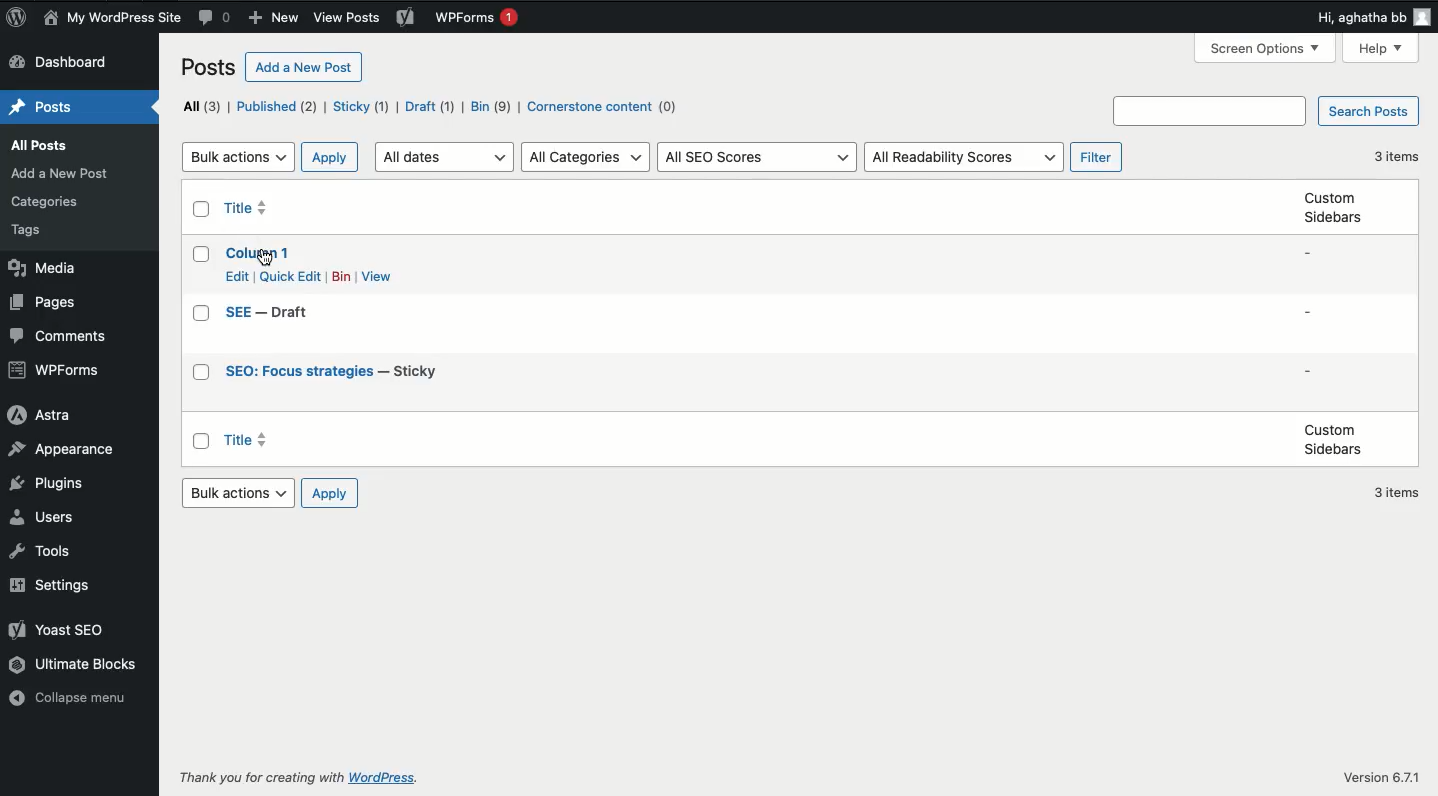 The image size is (1438, 796). What do you see at coordinates (55, 627) in the screenshot?
I see `Yoast SEO` at bounding box center [55, 627].